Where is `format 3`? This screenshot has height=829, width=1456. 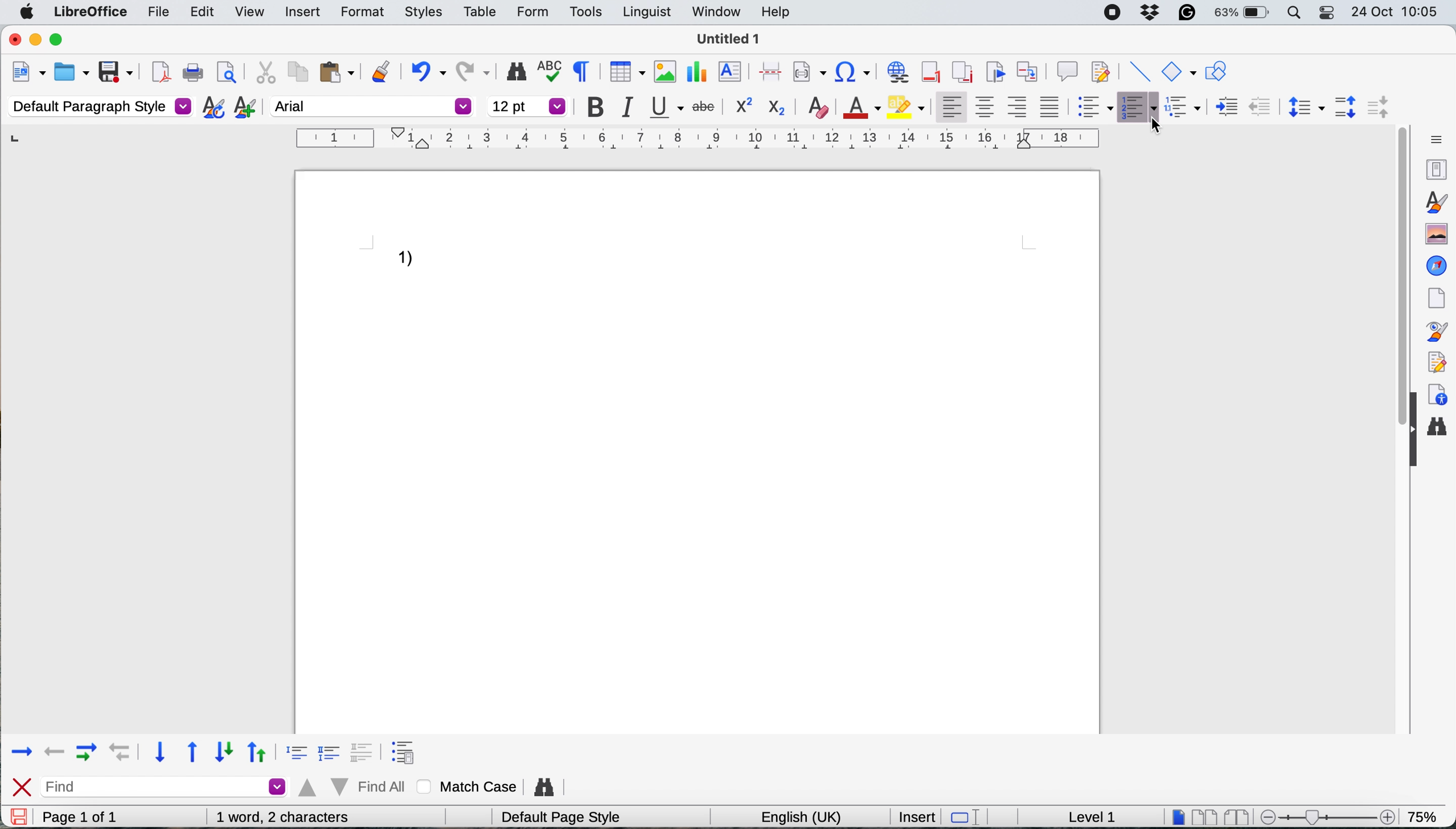
format 3 is located at coordinates (366, 749).